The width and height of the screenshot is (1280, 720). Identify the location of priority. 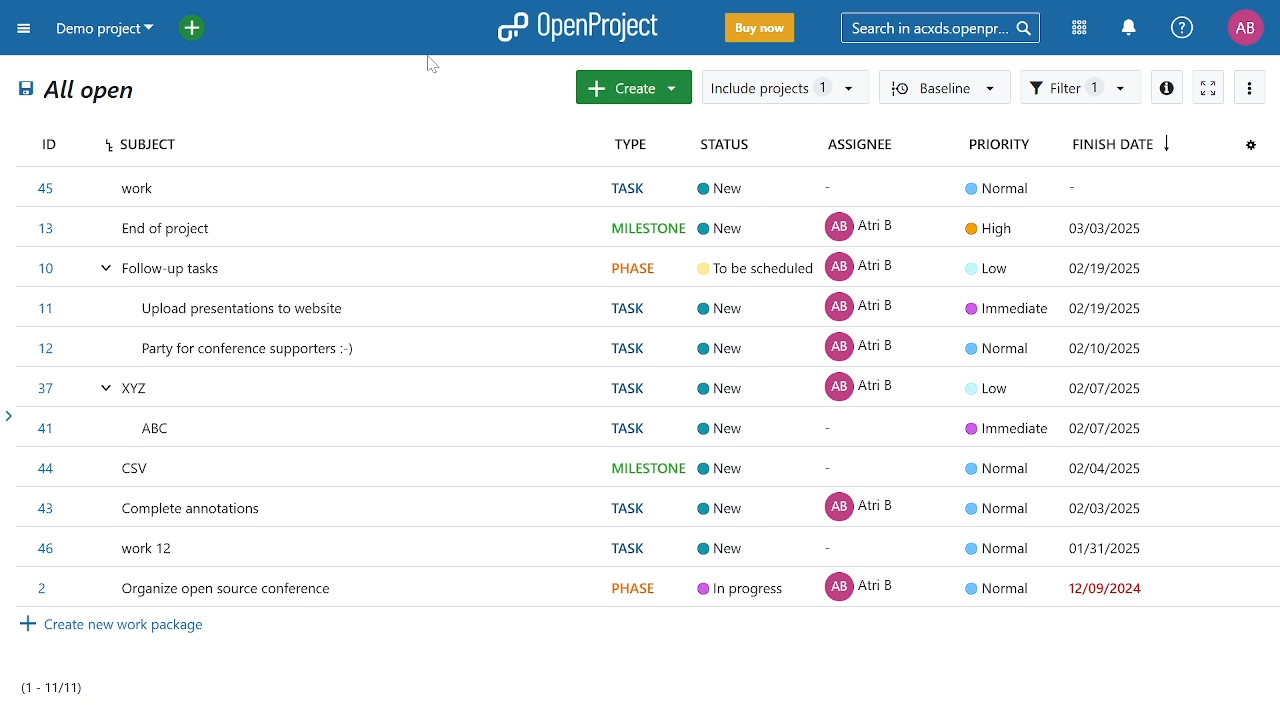
(994, 143).